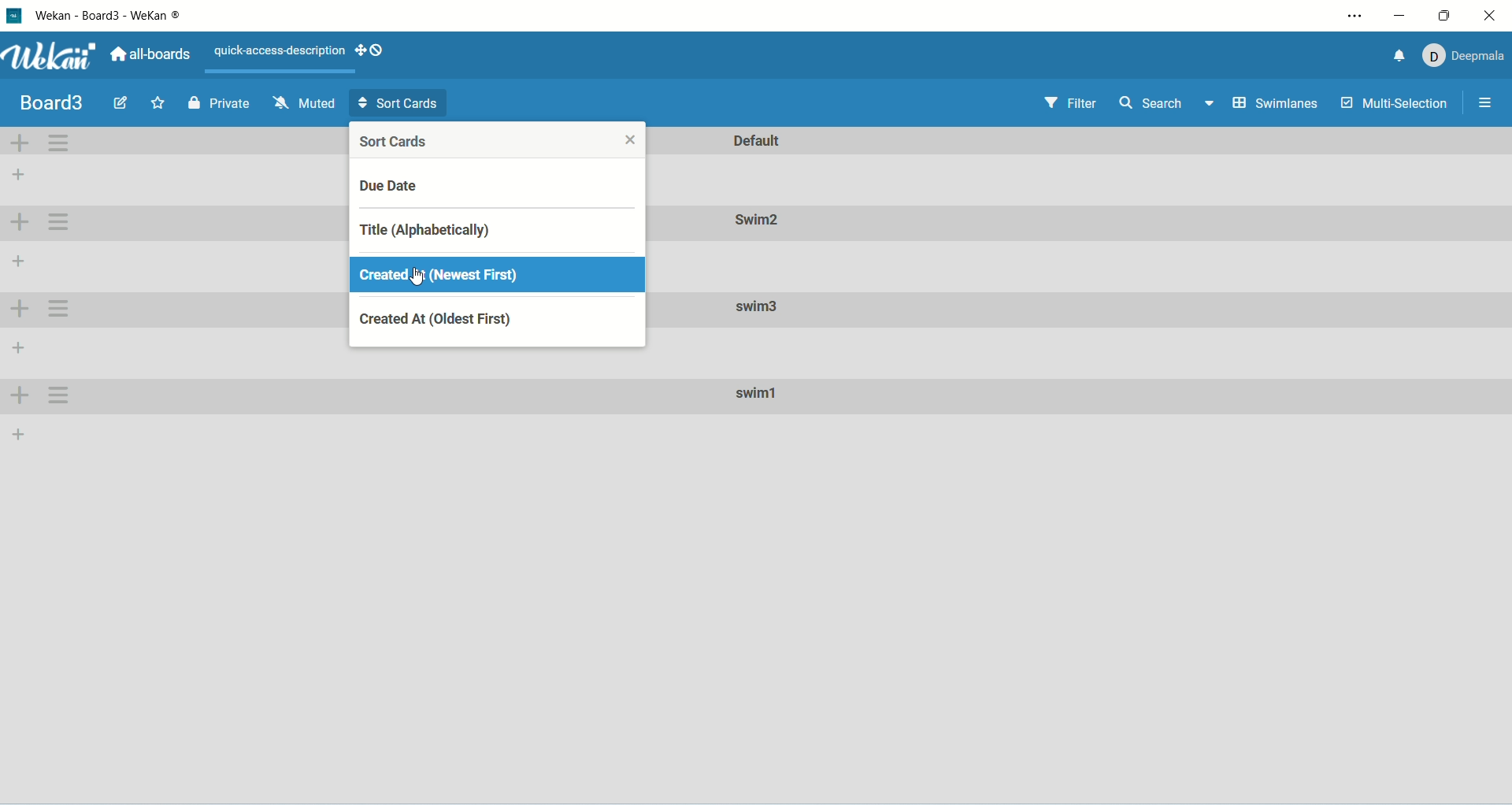 This screenshot has height=805, width=1512. What do you see at coordinates (20, 221) in the screenshot?
I see `add swimlane` at bounding box center [20, 221].